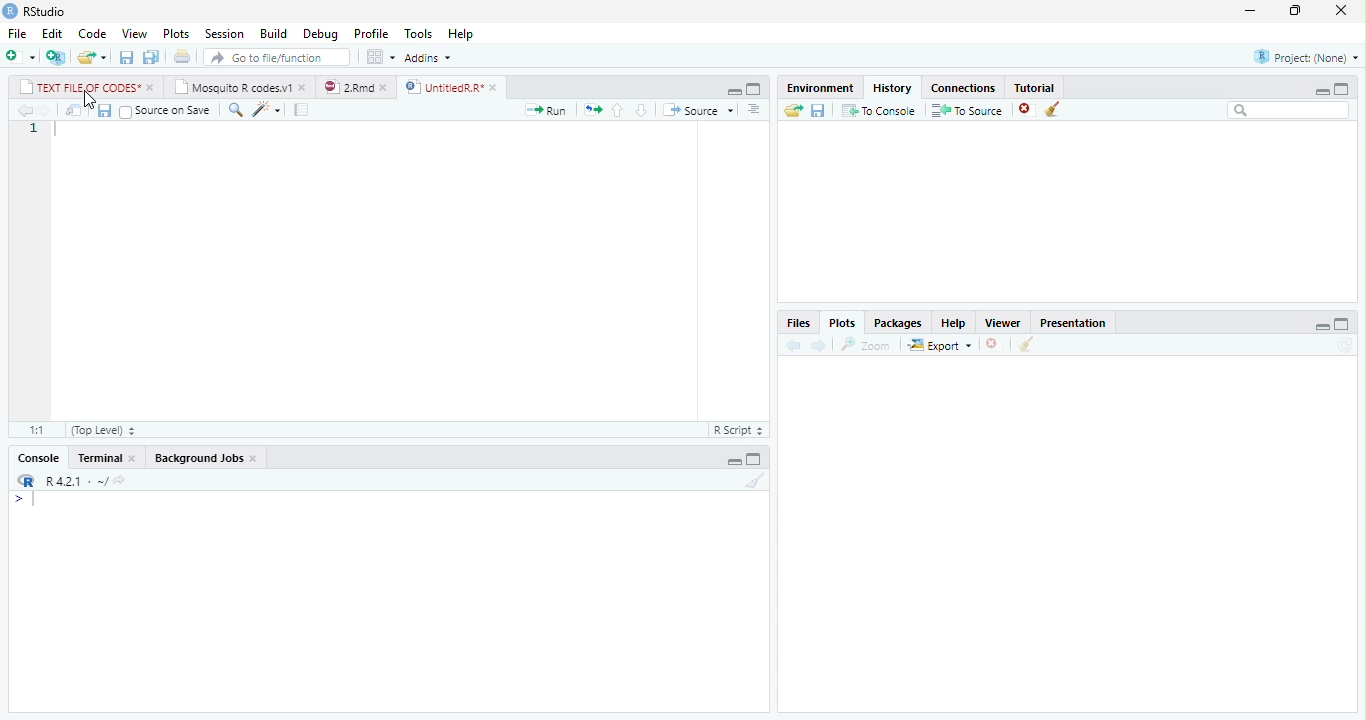  What do you see at coordinates (618, 111) in the screenshot?
I see `up` at bounding box center [618, 111].